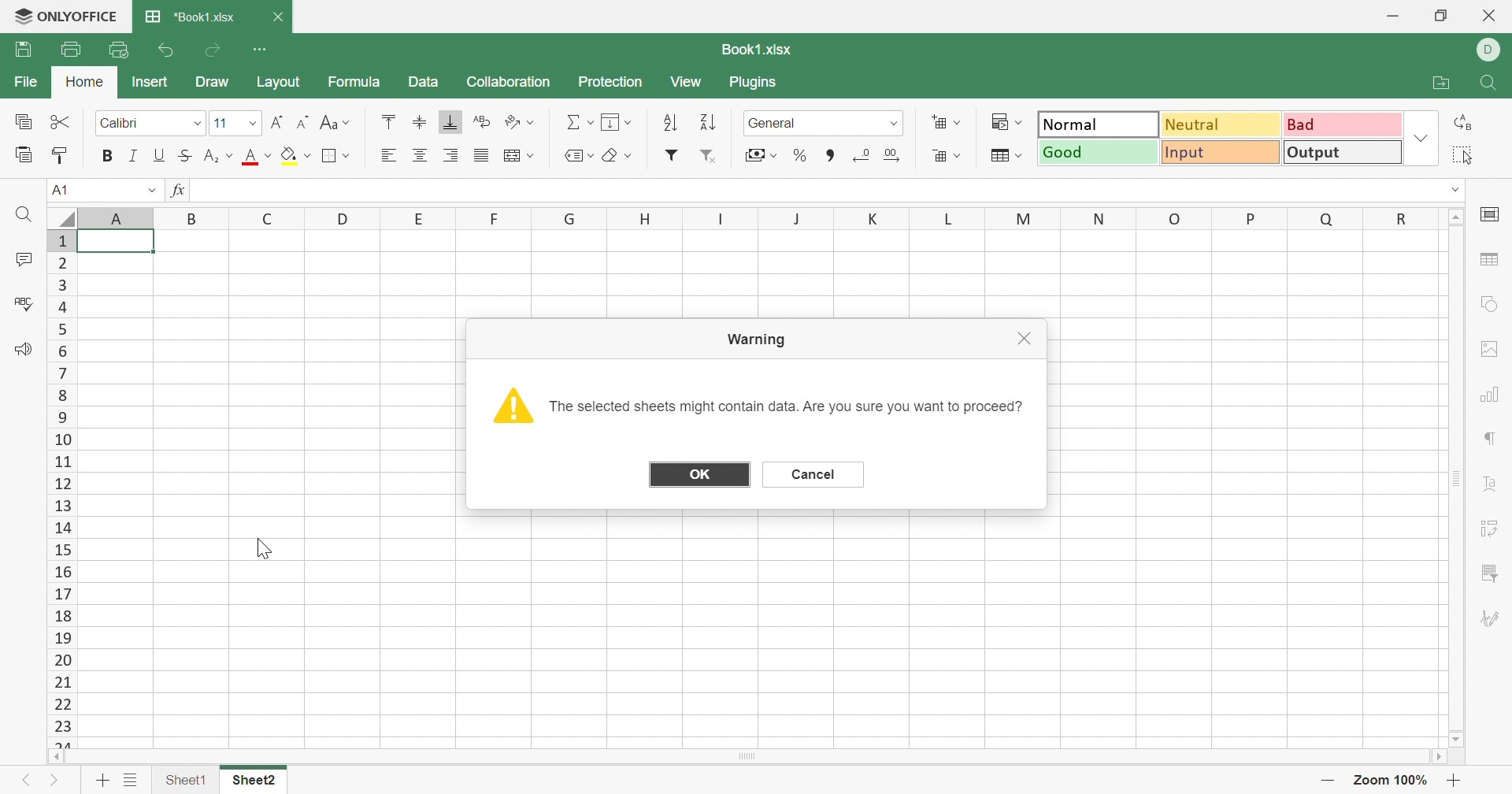 The width and height of the screenshot is (1512, 794). What do you see at coordinates (201, 123) in the screenshot?
I see `Drop Down` at bounding box center [201, 123].